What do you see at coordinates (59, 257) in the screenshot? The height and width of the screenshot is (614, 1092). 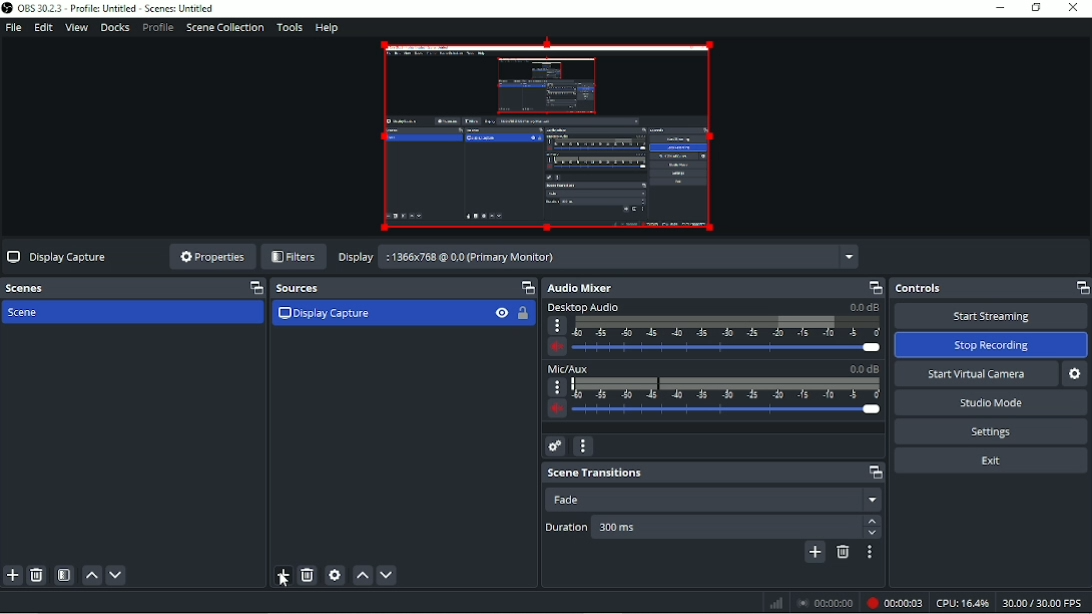 I see `Display capture` at bounding box center [59, 257].